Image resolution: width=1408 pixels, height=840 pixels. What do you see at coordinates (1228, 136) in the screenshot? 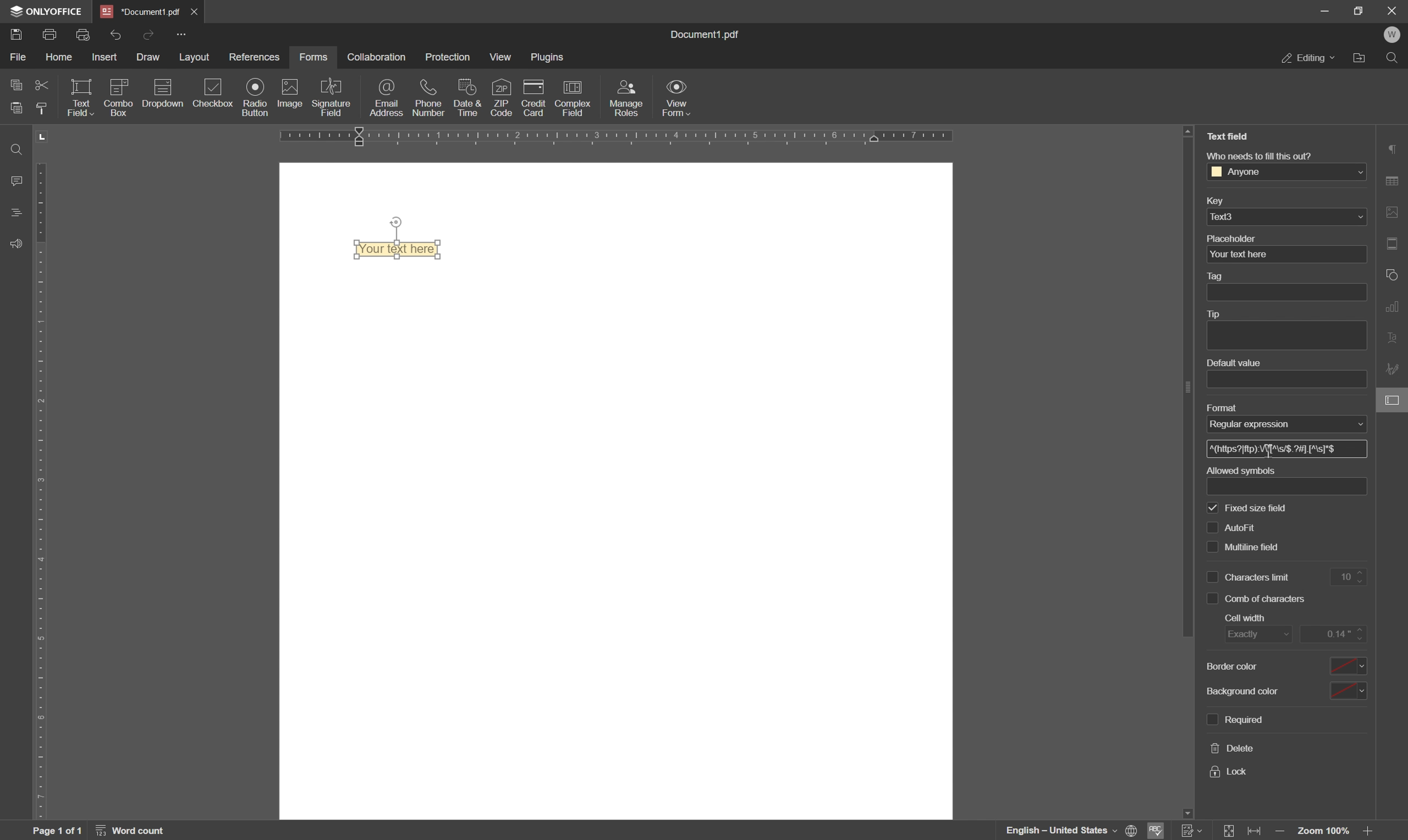
I see `text field` at bounding box center [1228, 136].